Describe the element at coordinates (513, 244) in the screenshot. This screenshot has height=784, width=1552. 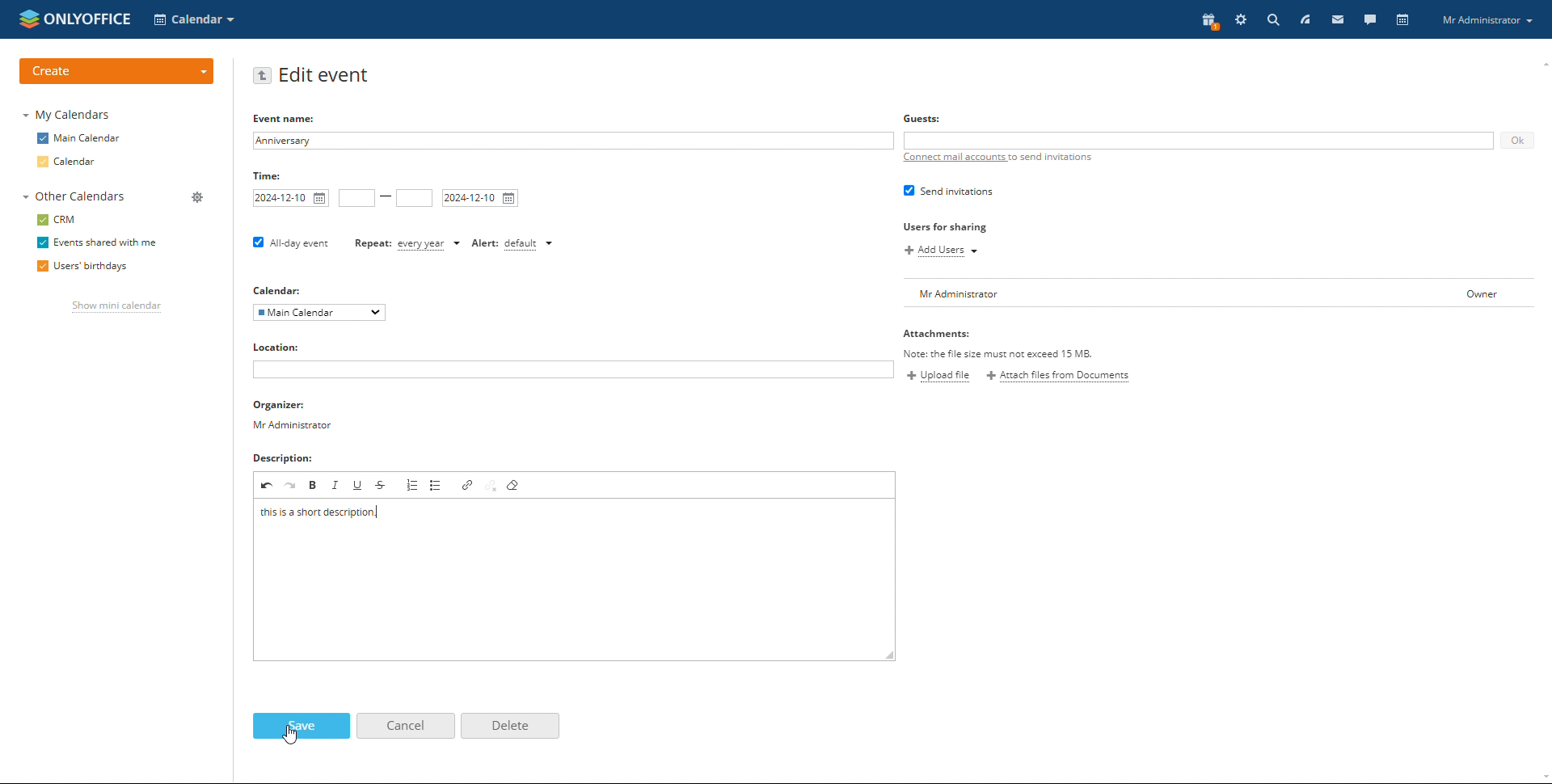
I see `set alert` at that location.